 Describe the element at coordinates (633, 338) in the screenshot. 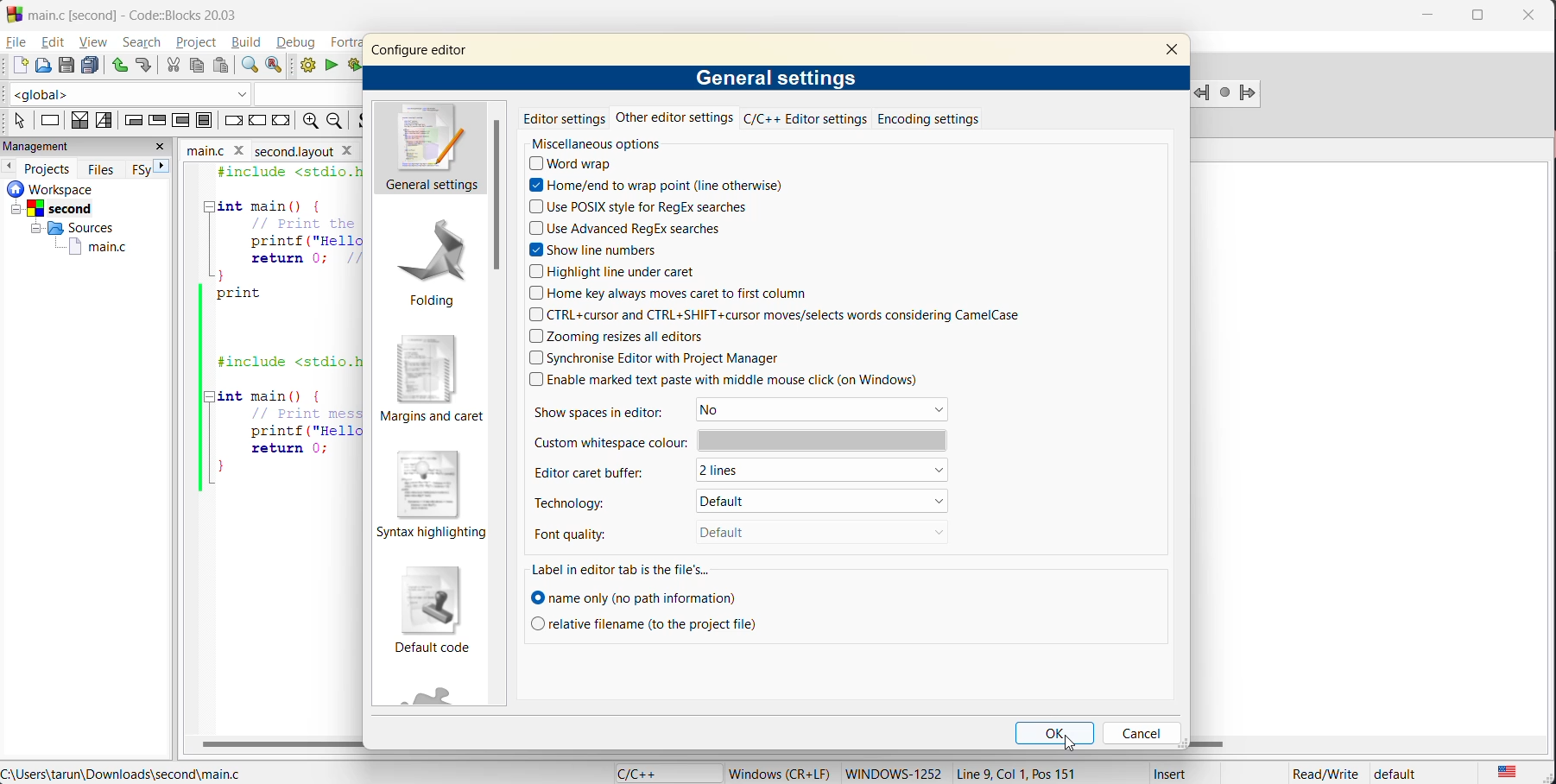

I see `zooming resizes all editors` at that location.